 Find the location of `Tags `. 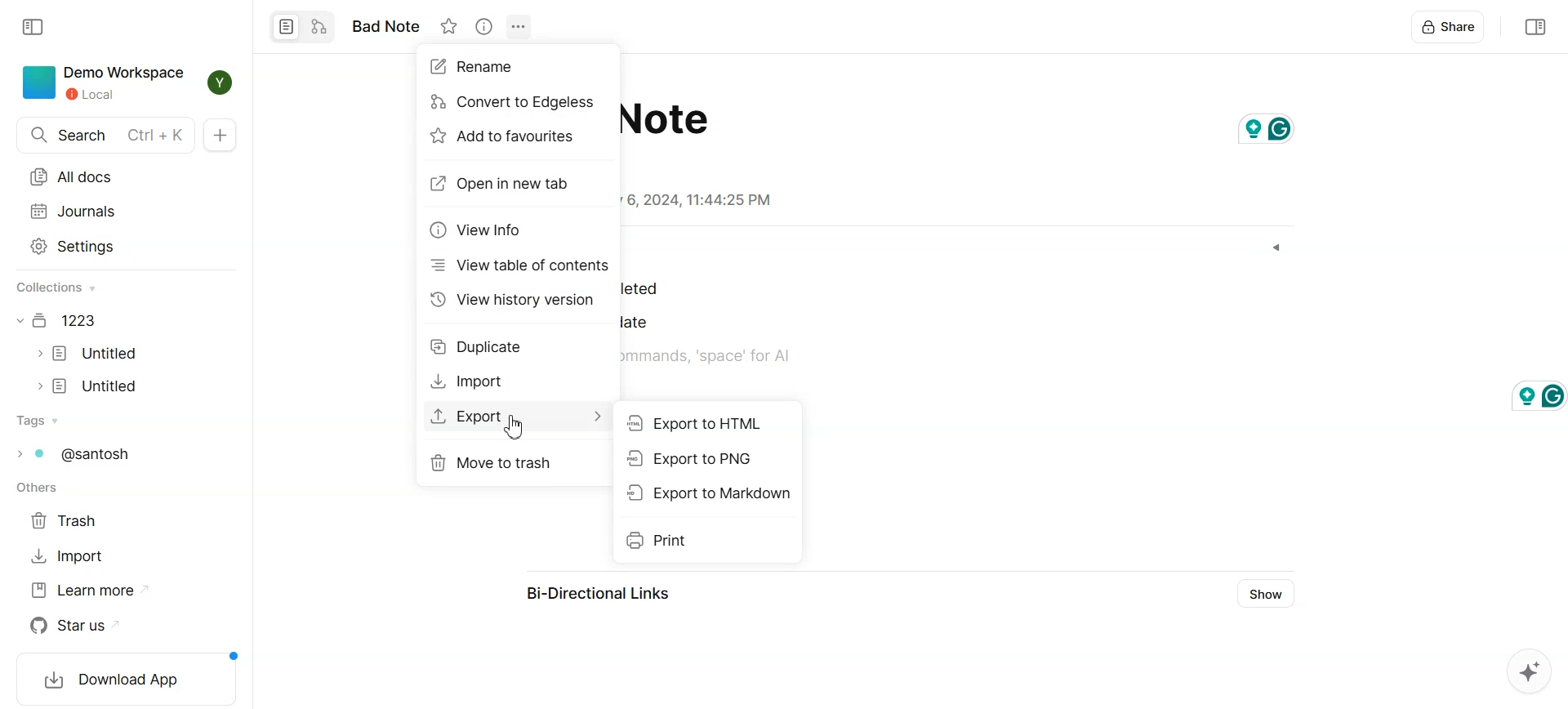

Tags  is located at coordinates (73, 453).